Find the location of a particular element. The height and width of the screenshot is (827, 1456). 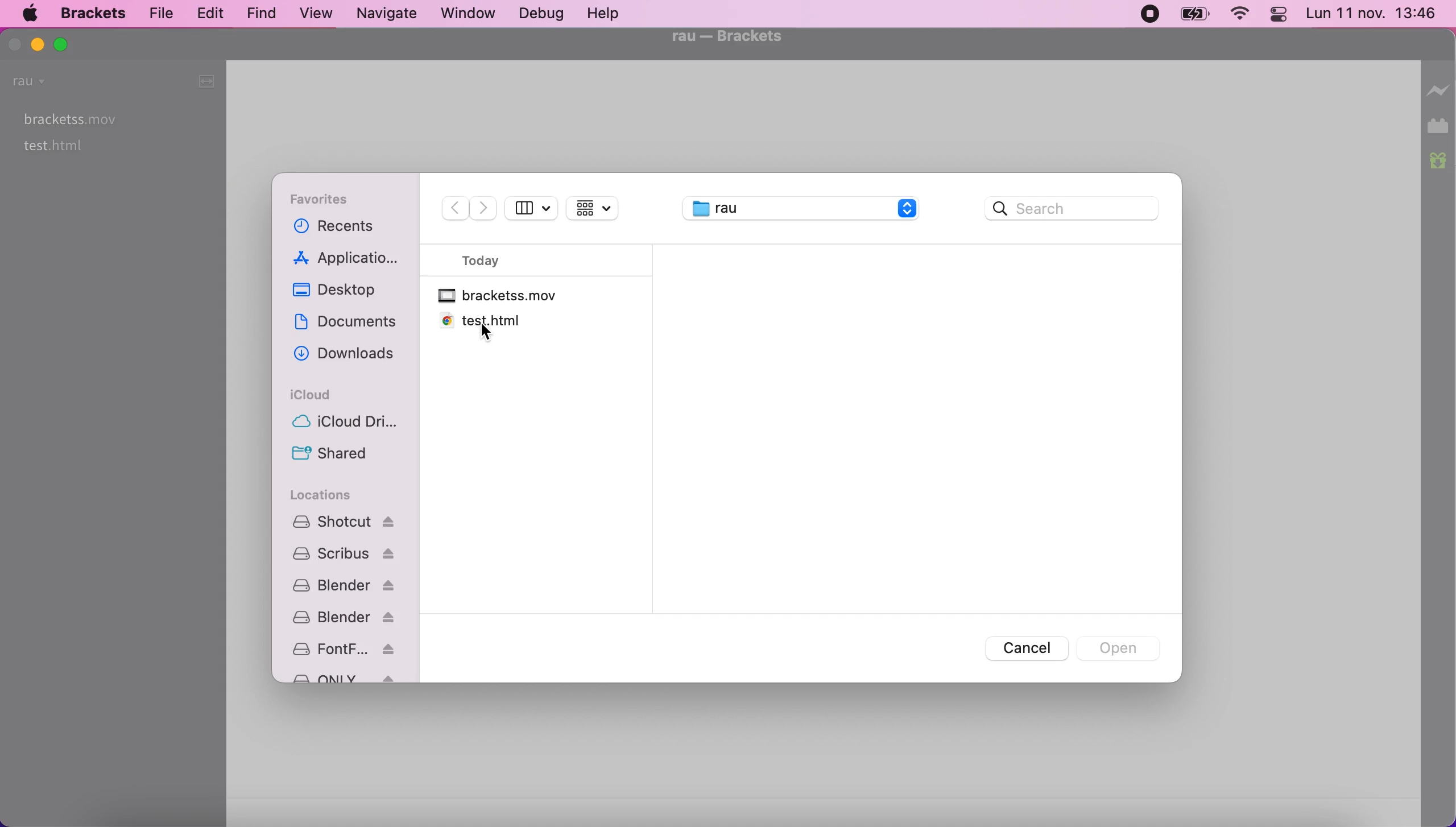

mac logo is located at coordinates (31, 15).